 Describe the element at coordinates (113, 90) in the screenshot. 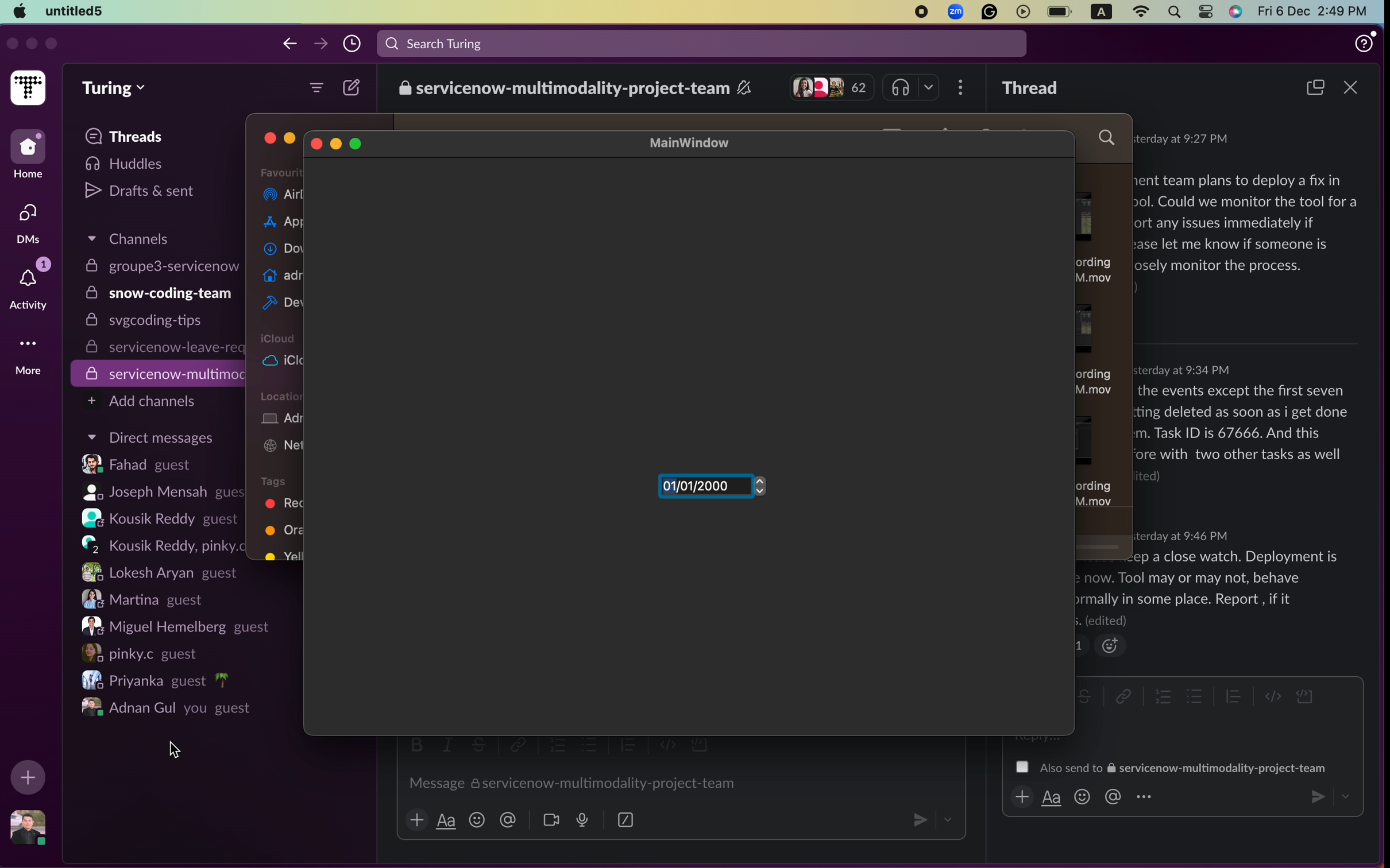

I see `Turing` at that location.